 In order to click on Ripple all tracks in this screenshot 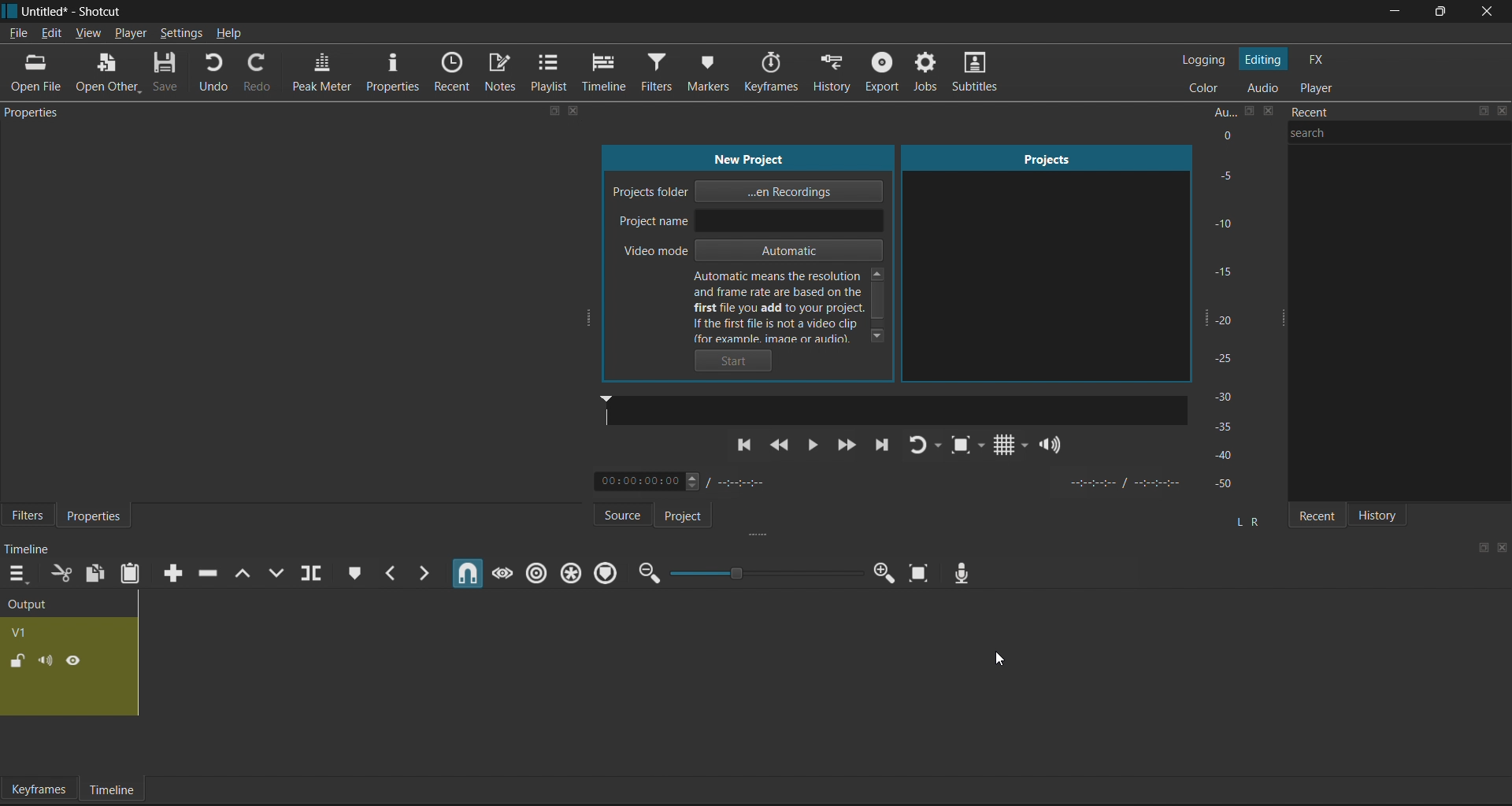, I will do `click(570, 571)`.